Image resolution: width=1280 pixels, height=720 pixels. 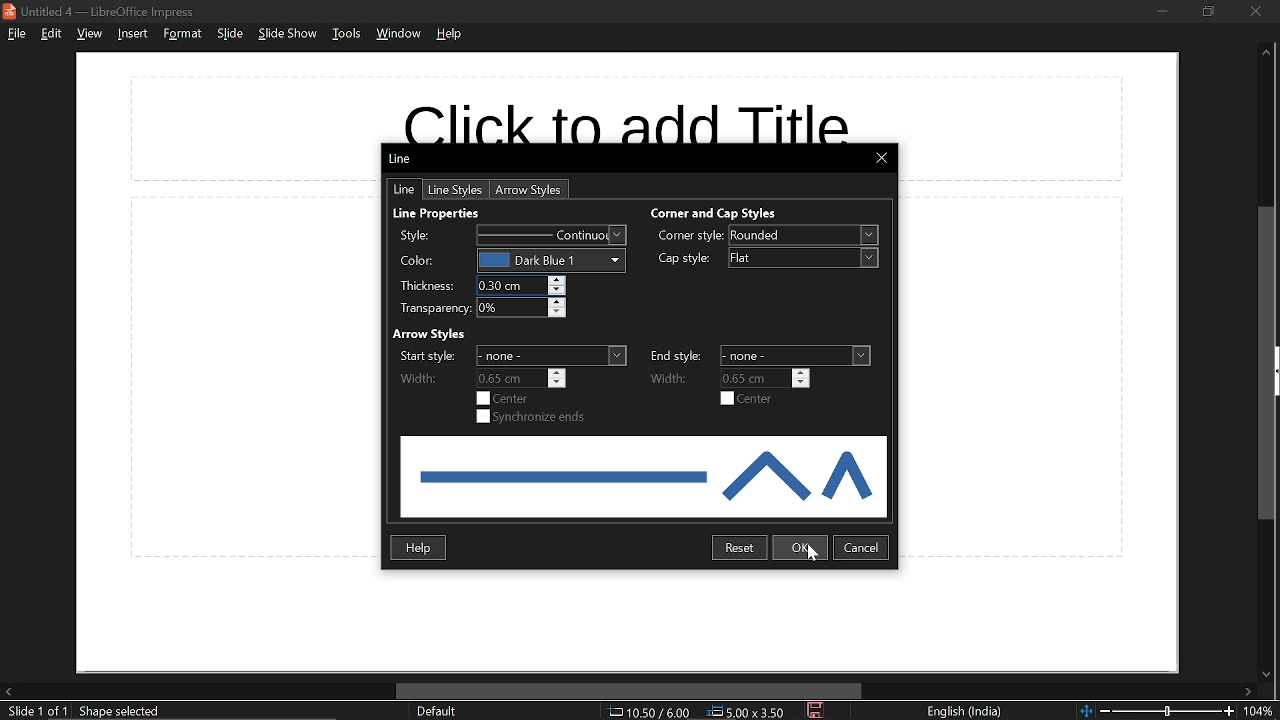 What do you see at coordinates (521, 378) in the screenshot?
I see `start width` at bounding box center [521, 378].